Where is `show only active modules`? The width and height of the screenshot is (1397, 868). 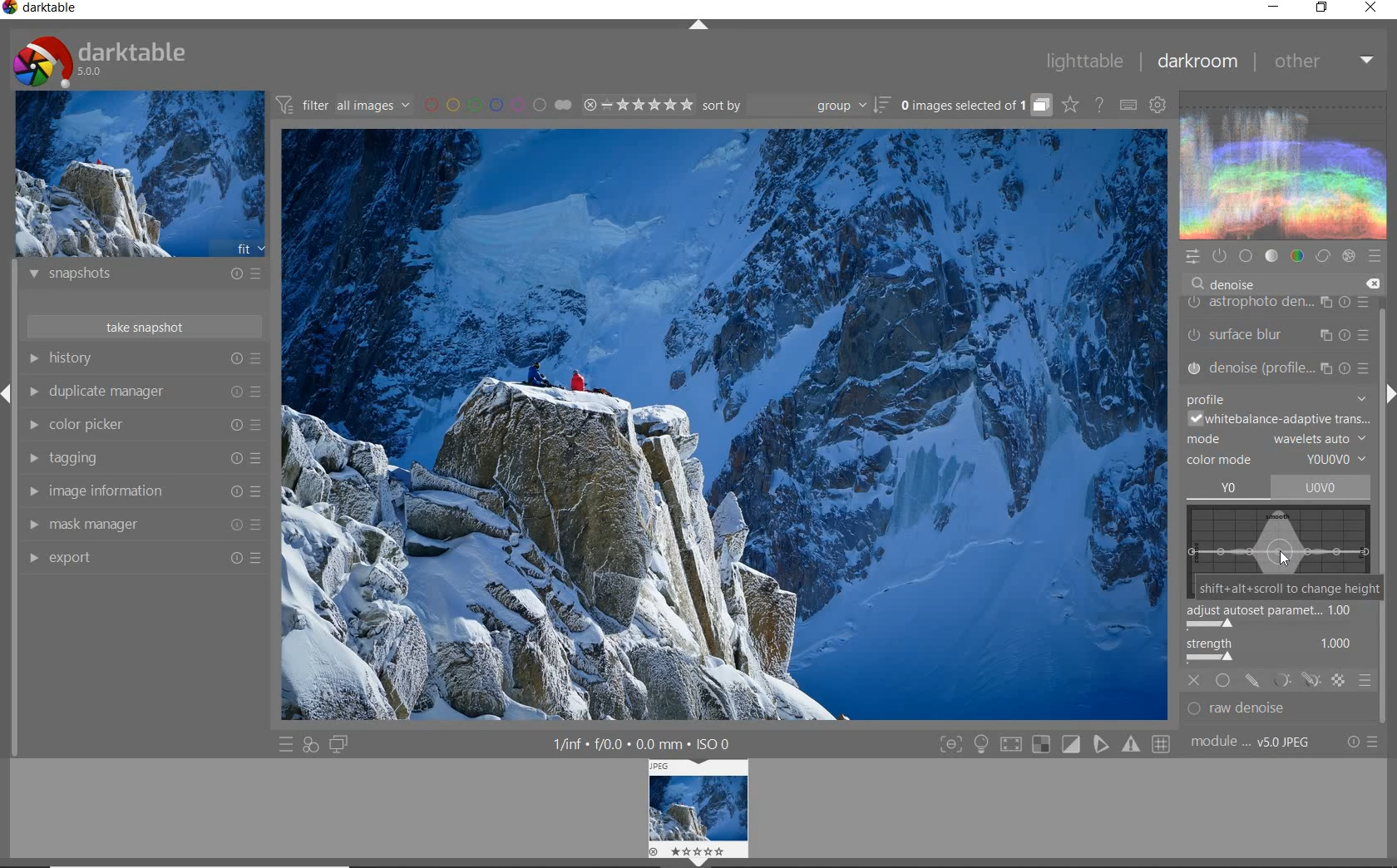 show only active modules is located at coordinates (1218, 256).